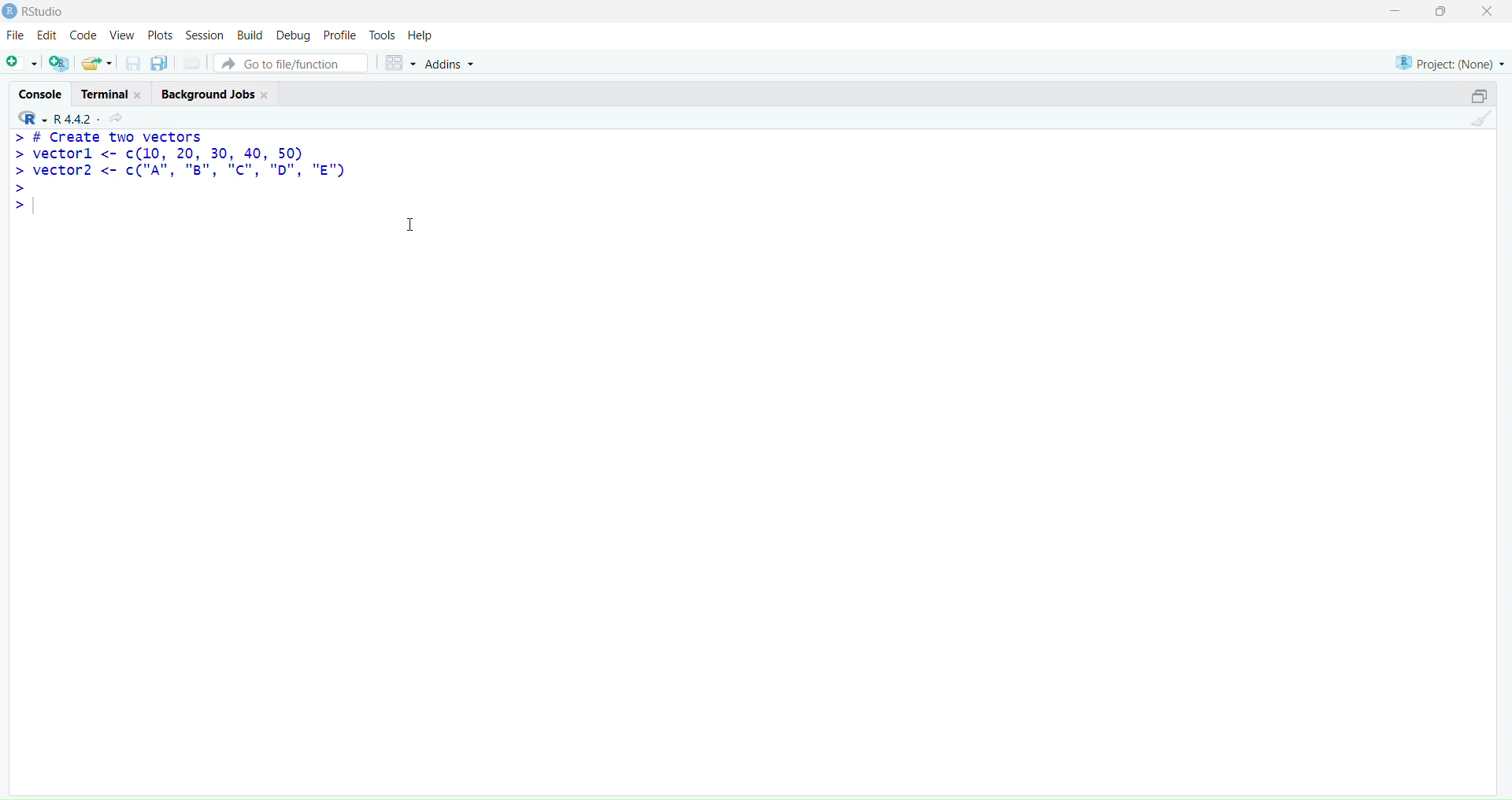  Describe the element at coordinates (250, 34) in the screenshot. I see `Build` at that location.